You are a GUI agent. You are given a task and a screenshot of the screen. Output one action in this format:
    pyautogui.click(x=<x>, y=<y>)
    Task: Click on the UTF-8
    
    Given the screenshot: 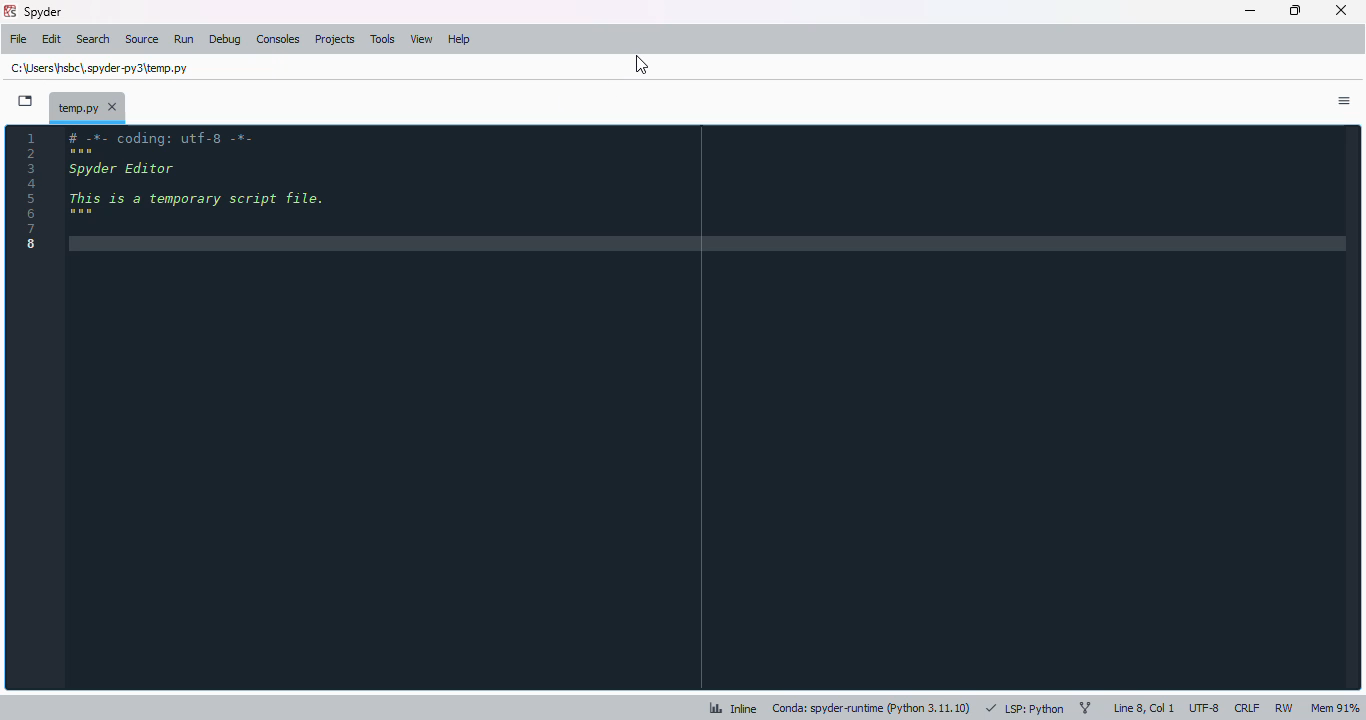 What is the action you would take?
    pyautogui.click(x=1205, y=708)
    